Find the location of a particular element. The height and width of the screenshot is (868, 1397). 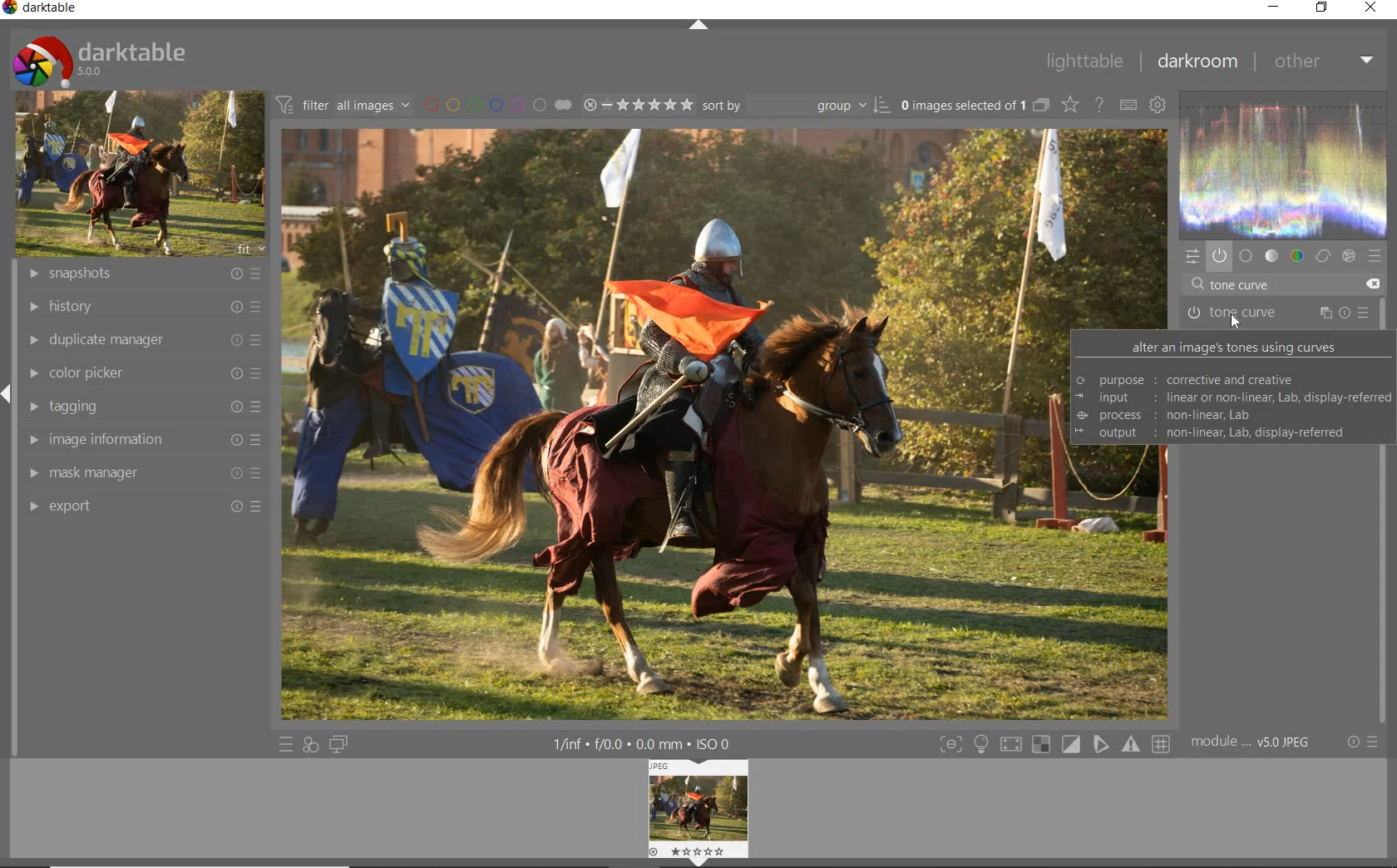

tone is located at coordinates (1272, 256).